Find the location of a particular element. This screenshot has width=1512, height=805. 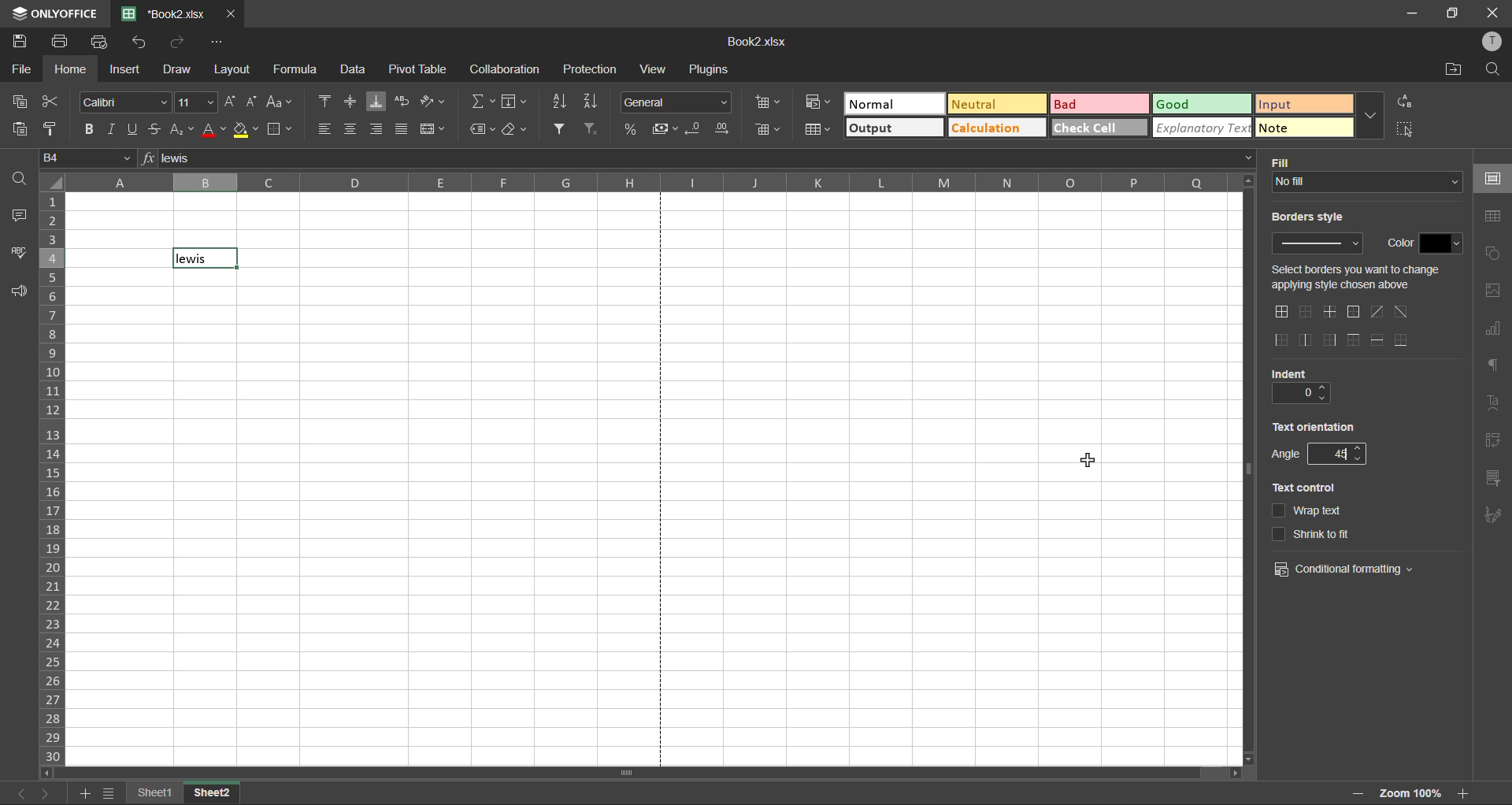

view is located at coordinates (658, 69).